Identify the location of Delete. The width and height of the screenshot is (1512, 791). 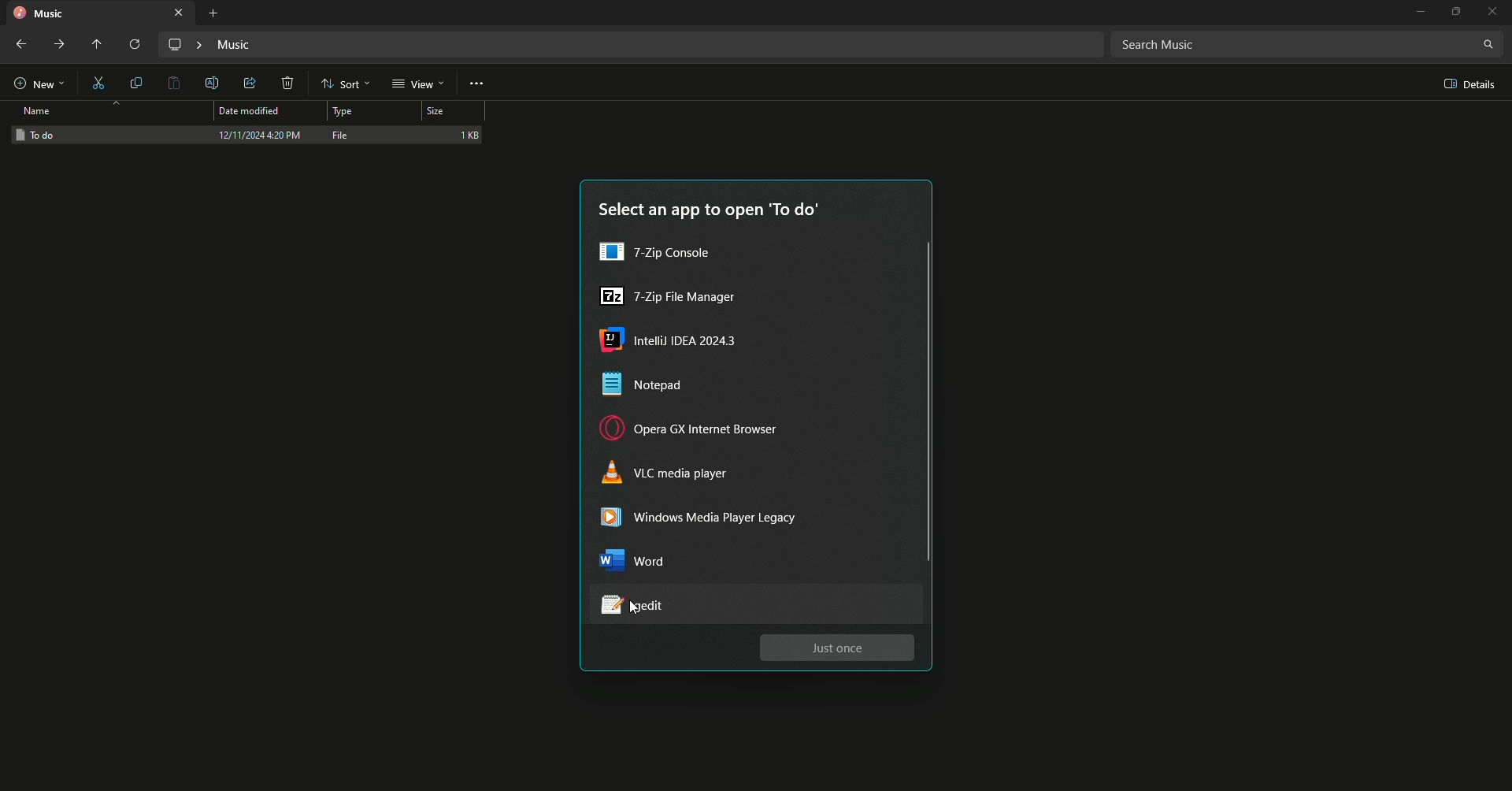
(290, 84).